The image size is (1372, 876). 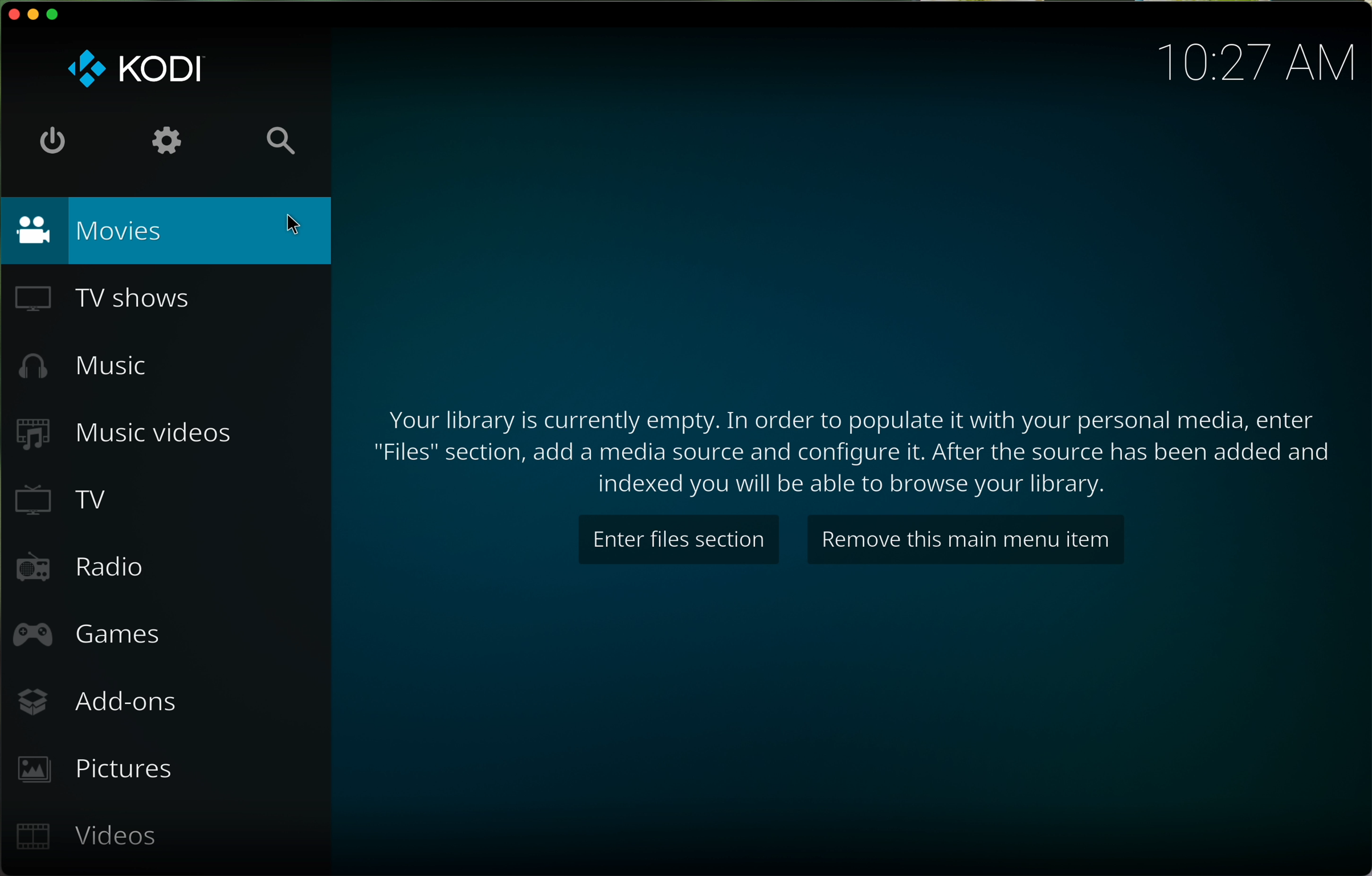 I want to click on enter files section, so click(x=678, y=539).